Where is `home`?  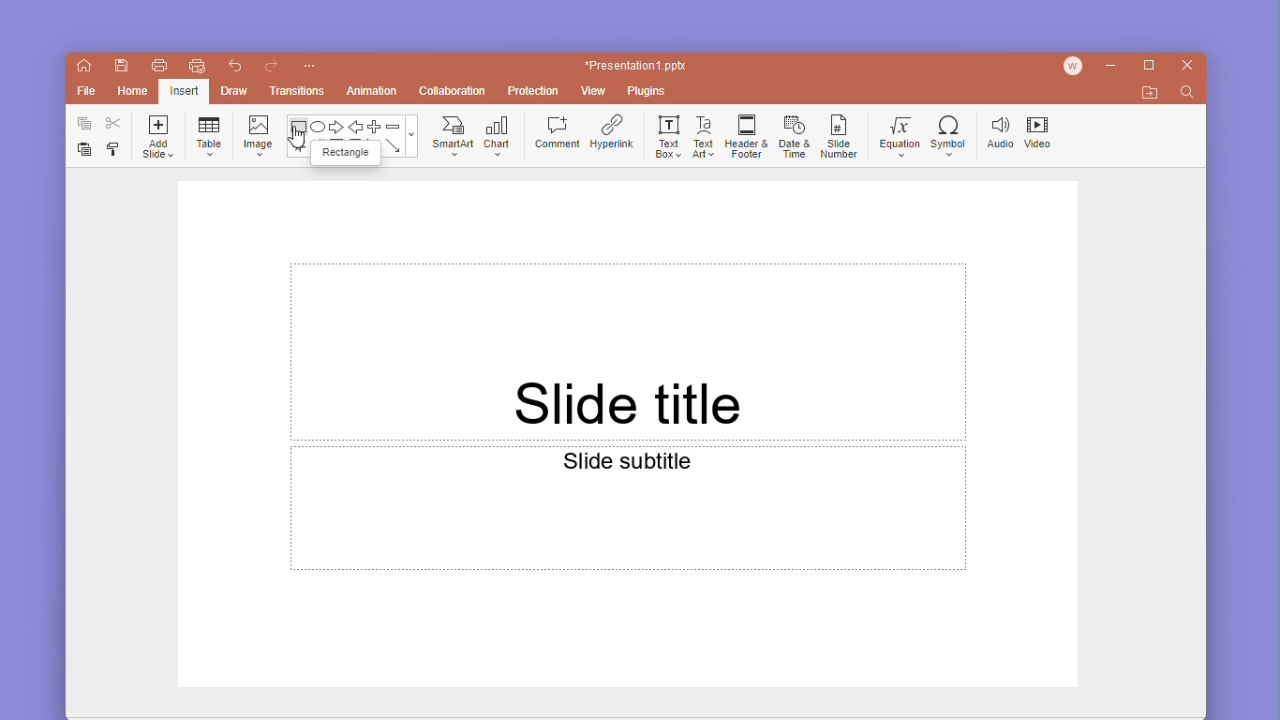 home is located at coordinates (84, 68).